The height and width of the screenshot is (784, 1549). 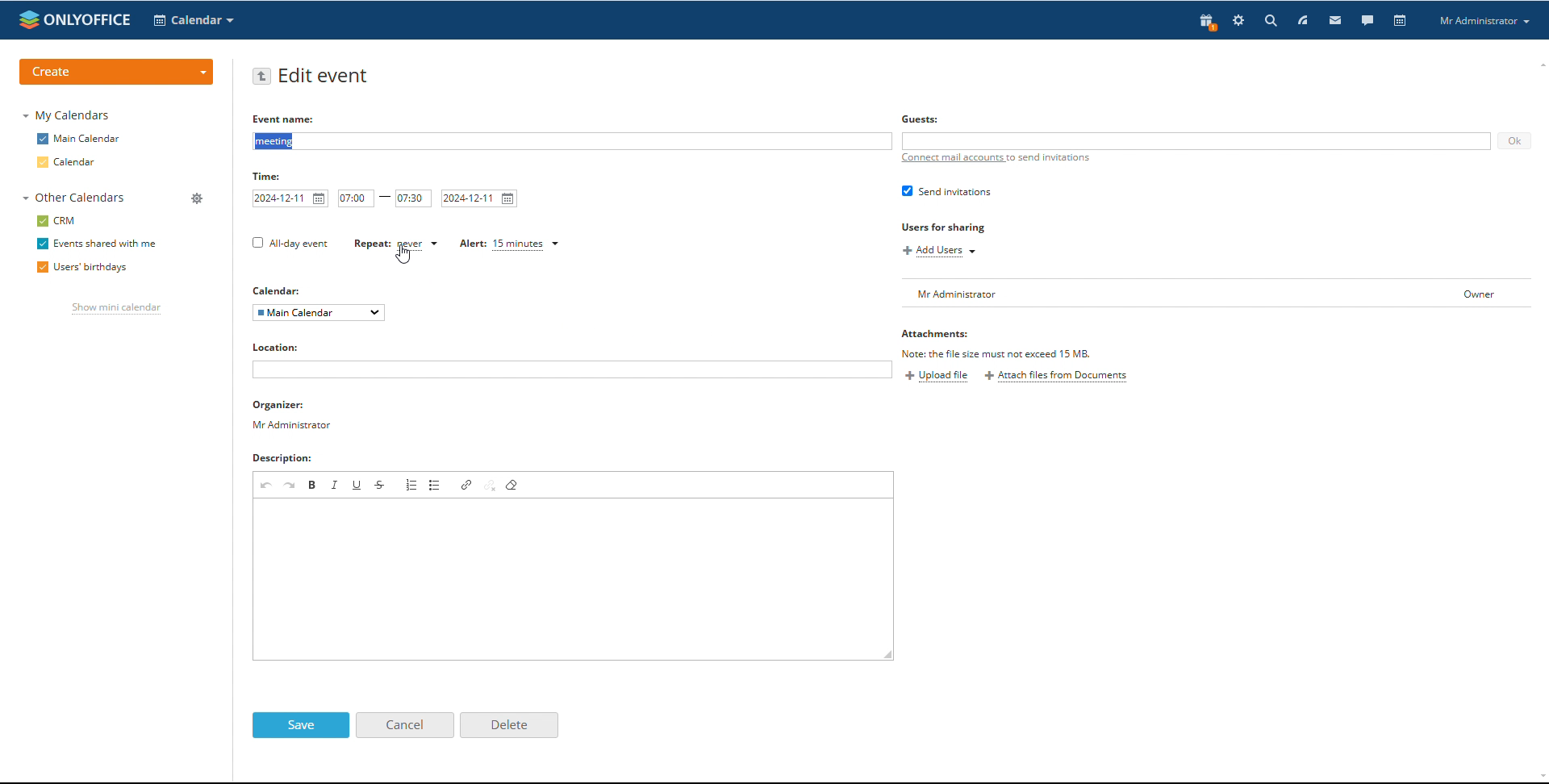 I want to click on search, so click(x=1322, y=21).